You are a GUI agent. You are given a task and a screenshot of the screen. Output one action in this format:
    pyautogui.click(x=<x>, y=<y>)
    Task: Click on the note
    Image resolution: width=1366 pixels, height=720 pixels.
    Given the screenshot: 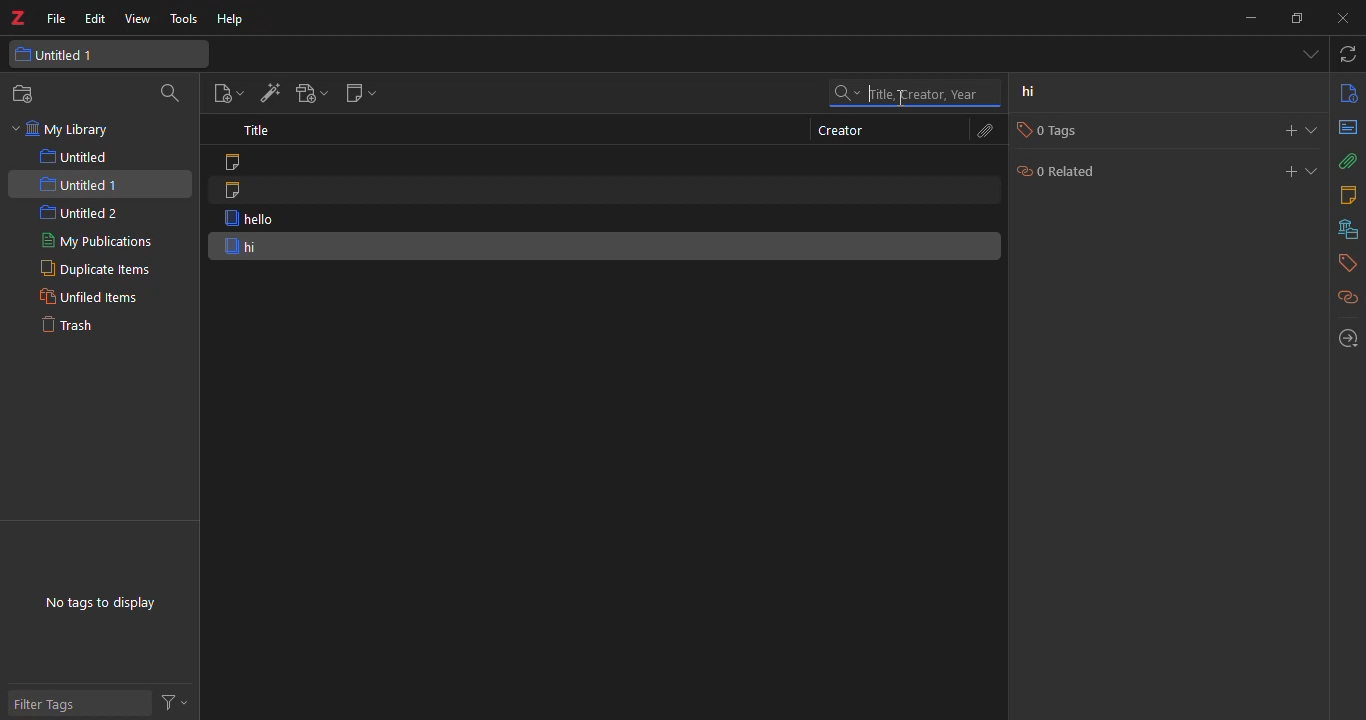 What is the action you would take?
    pyautogui.click(x=235, y=162)
    